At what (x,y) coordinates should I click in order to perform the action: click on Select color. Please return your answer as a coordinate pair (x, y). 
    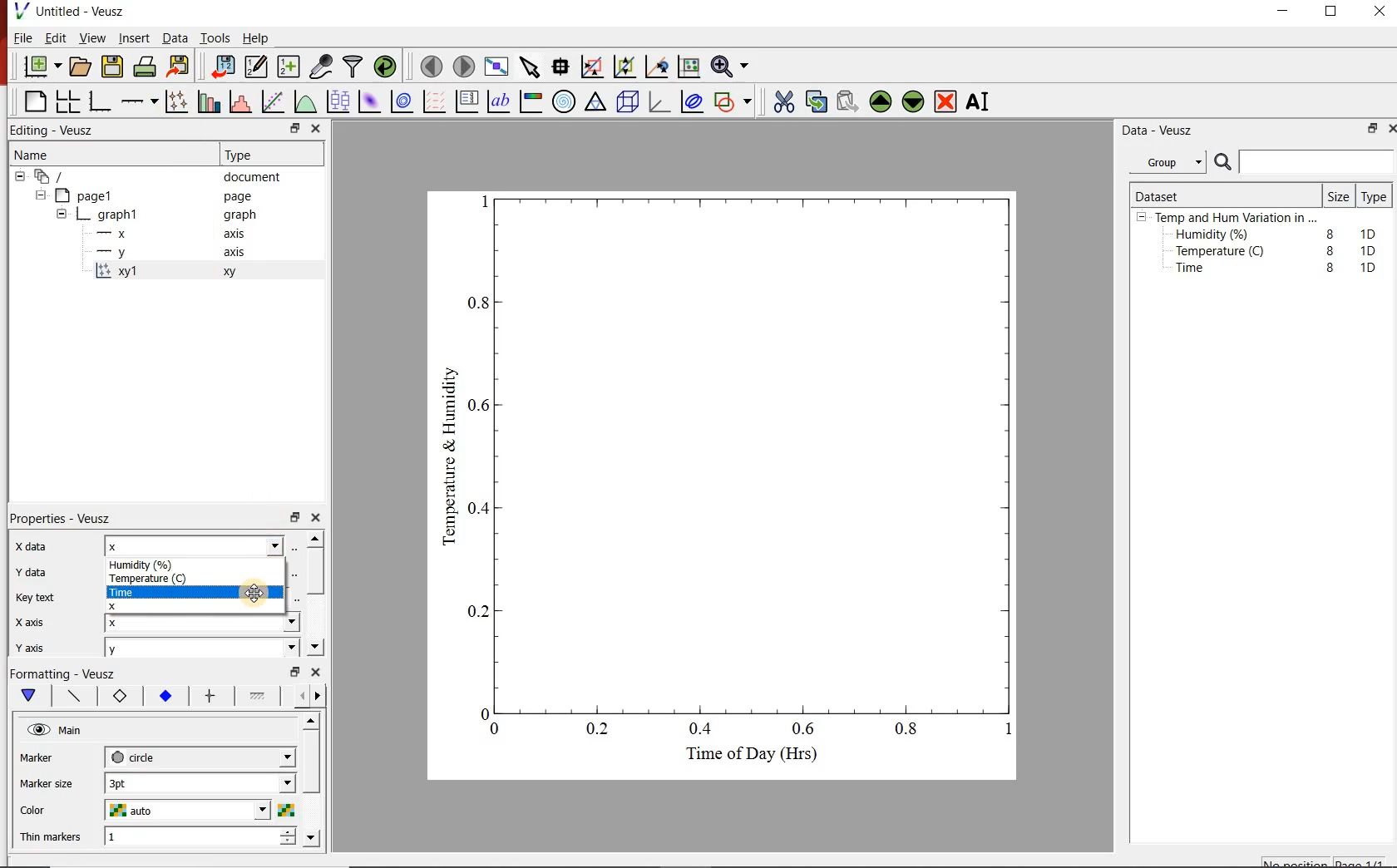
    Looking at the image, I should click on (287, 811).